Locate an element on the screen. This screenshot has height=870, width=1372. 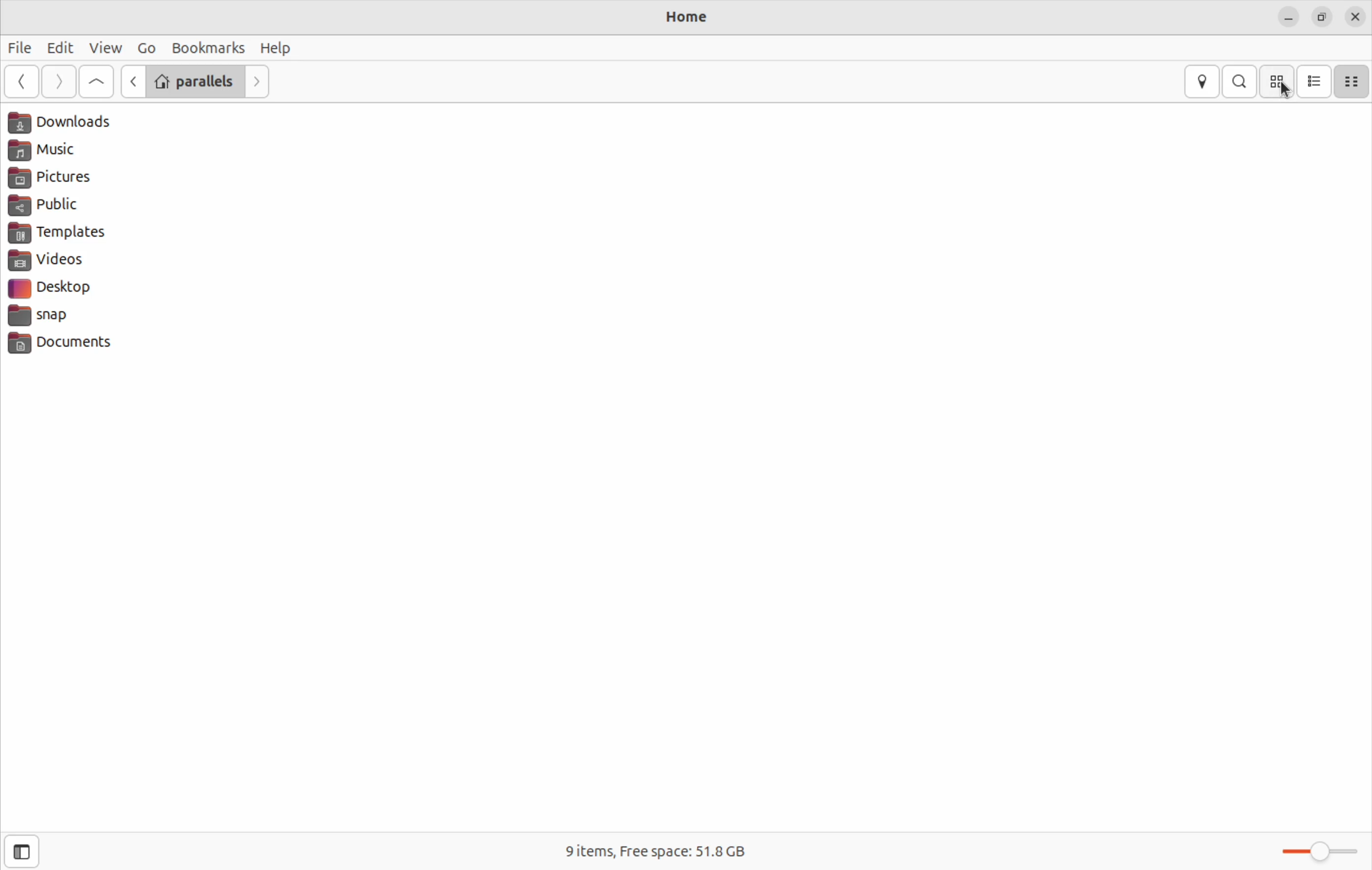
Edit is located at coordinates (59, 47).